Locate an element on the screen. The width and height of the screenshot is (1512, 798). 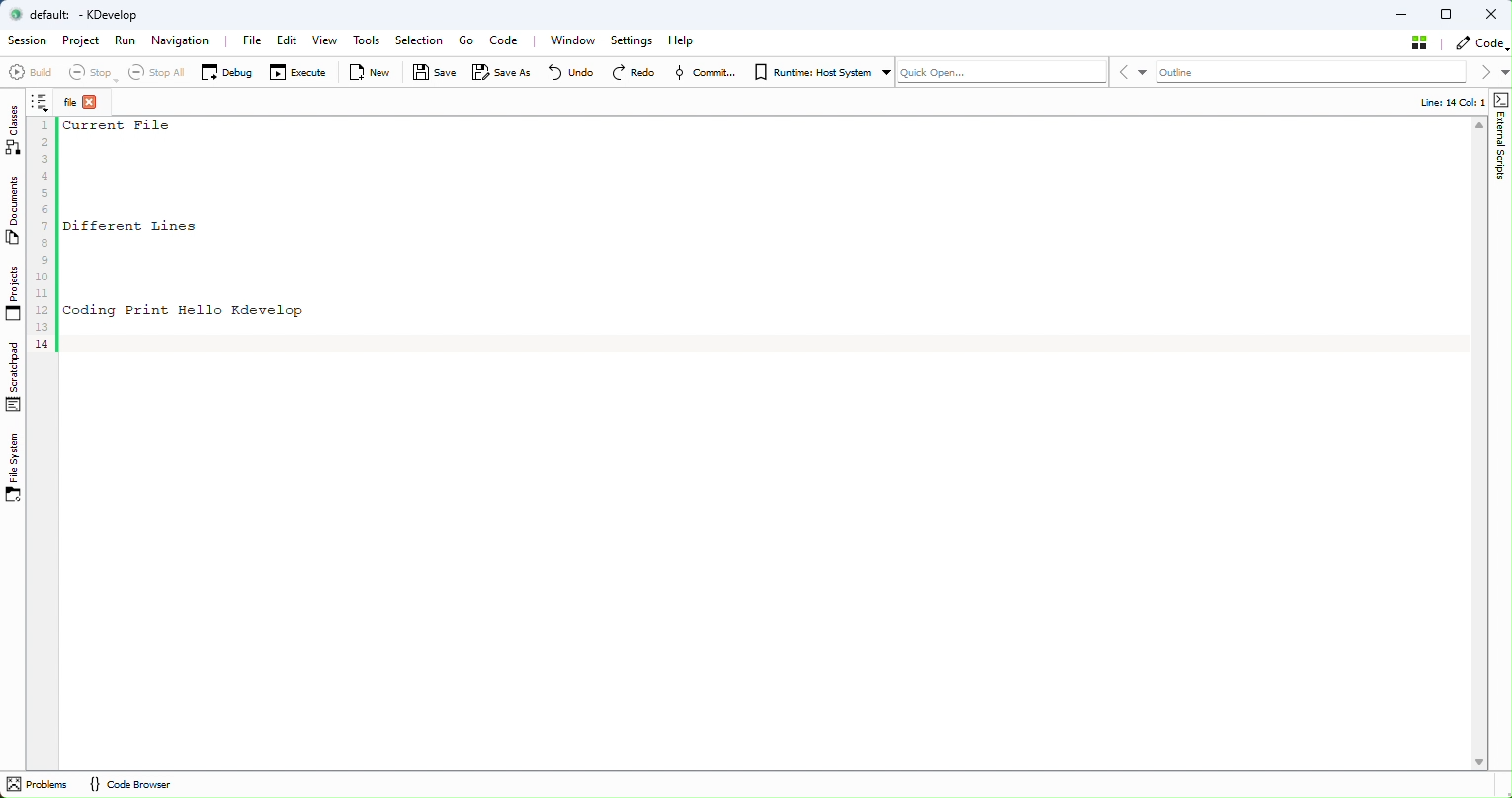
Save is located at coordinates (433, 73).